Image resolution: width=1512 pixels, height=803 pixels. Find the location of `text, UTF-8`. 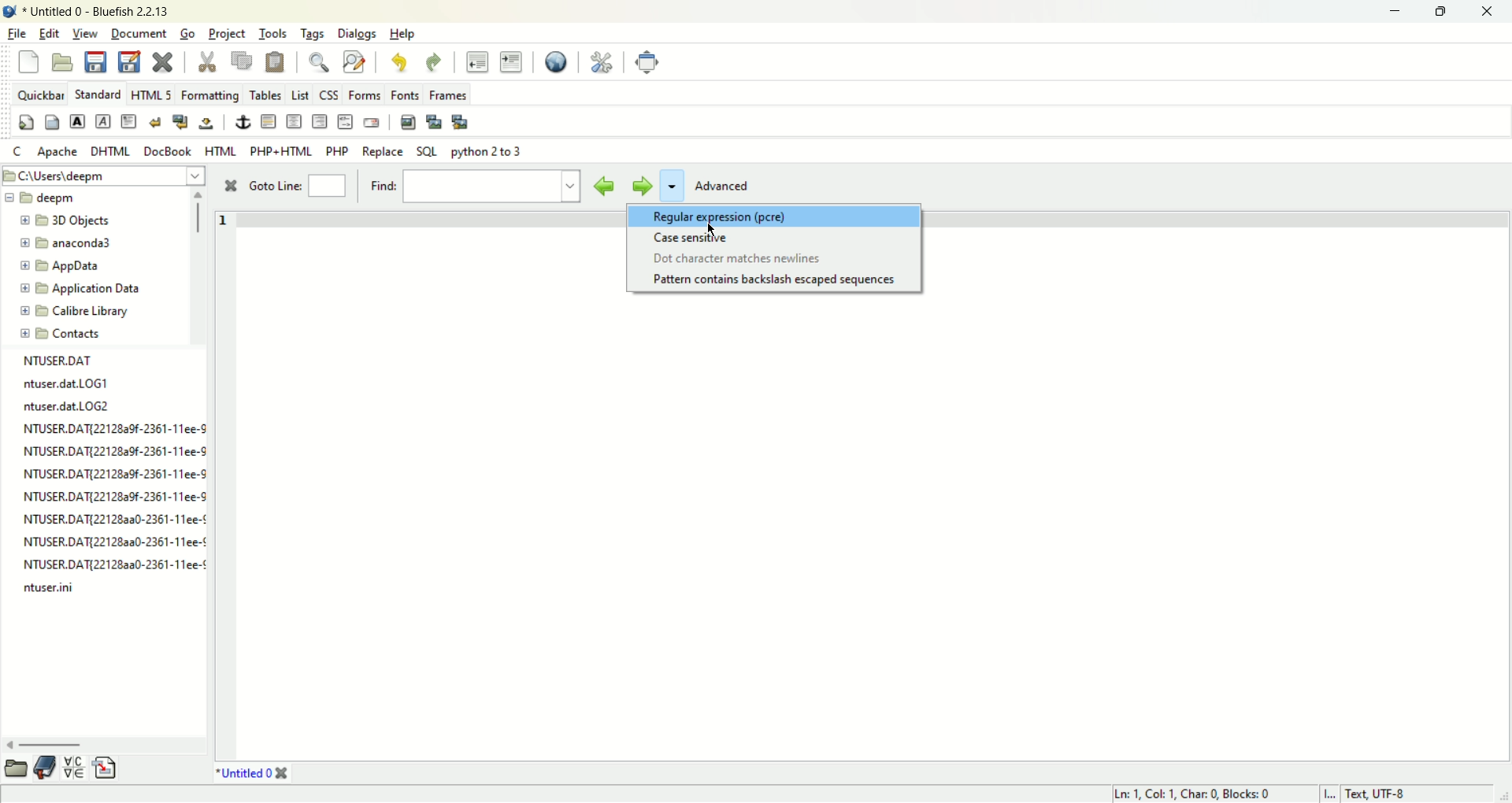

text, UTF-8 is located at coordinates (1385, 794).